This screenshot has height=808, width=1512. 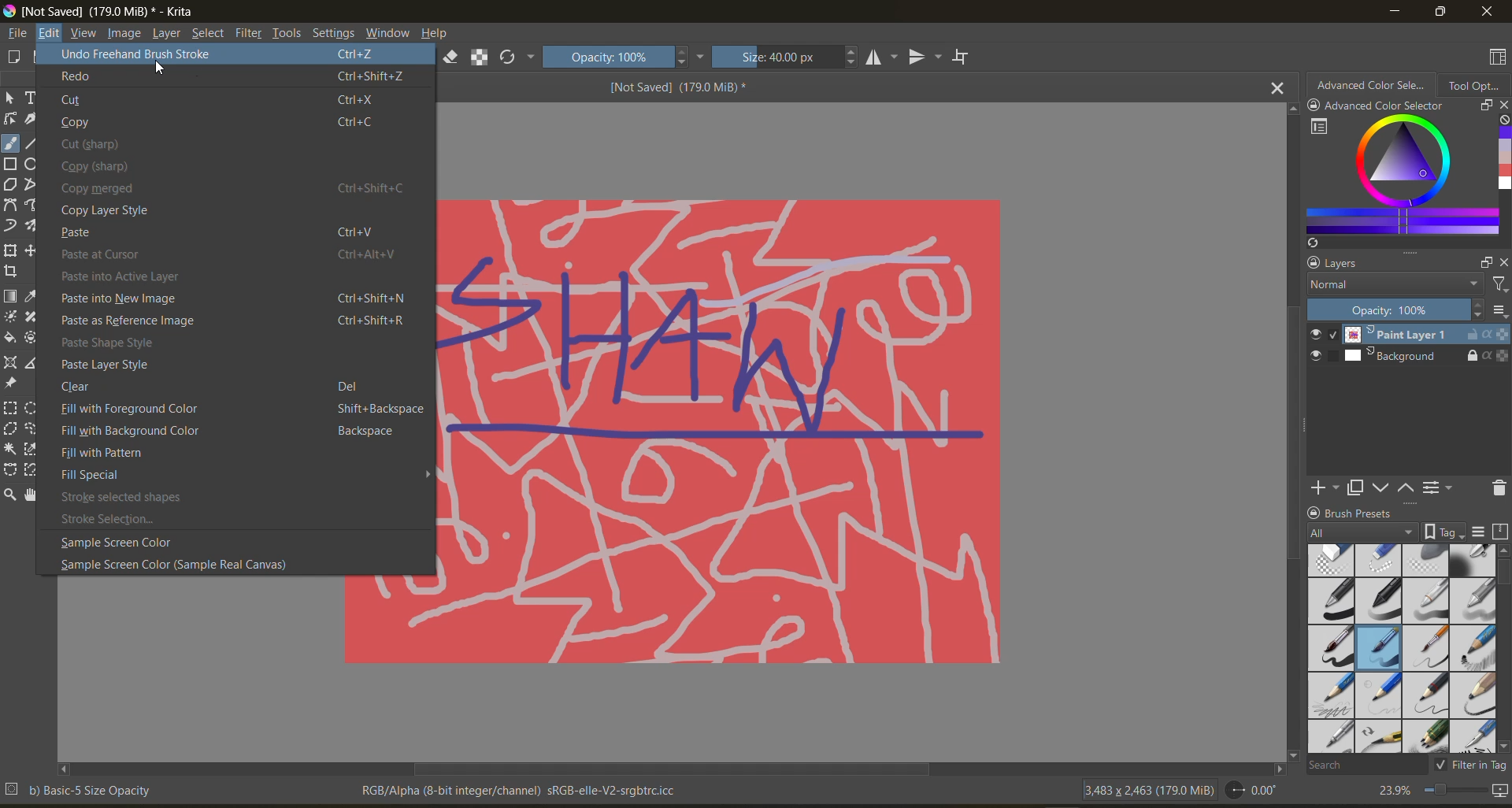 What do you see at coordinates (333, 32) in the screenshot?
I see `settings` at bounding box center [333, 32].